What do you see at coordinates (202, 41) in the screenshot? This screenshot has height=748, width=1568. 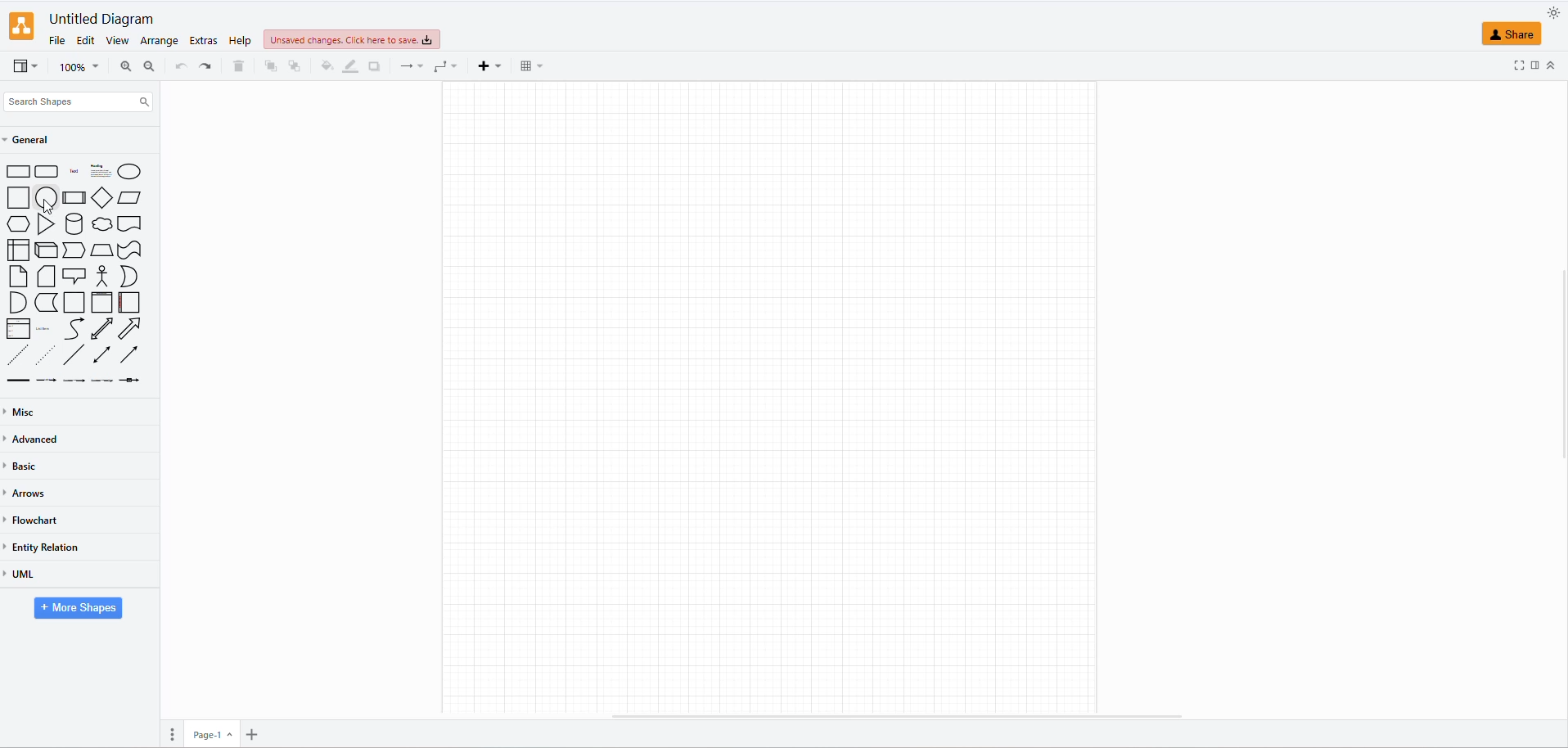 I see `EXTRAS` at bounding box center [202, 41].